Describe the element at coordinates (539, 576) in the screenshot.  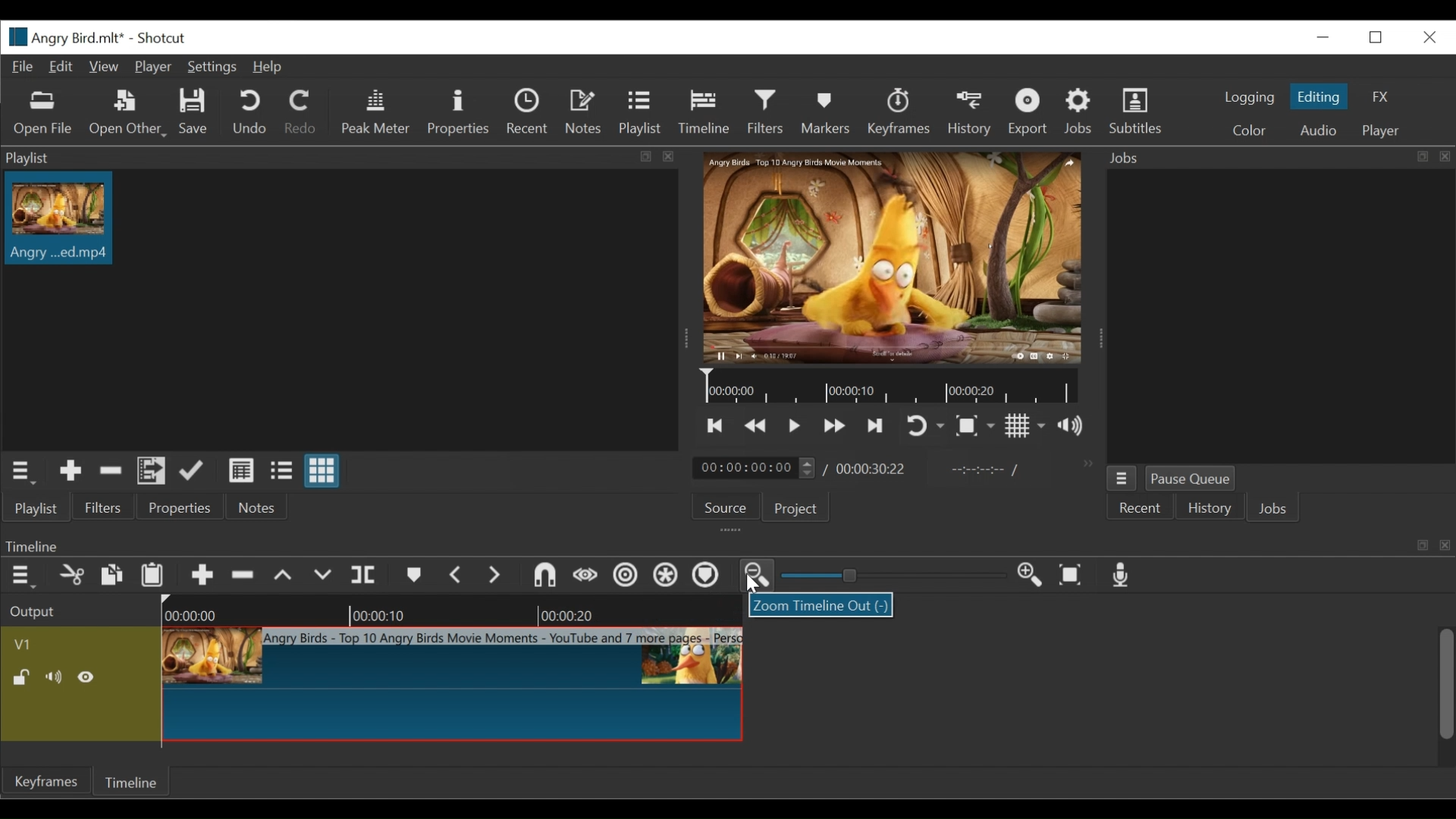
I see `Set Filter Last` at that location.